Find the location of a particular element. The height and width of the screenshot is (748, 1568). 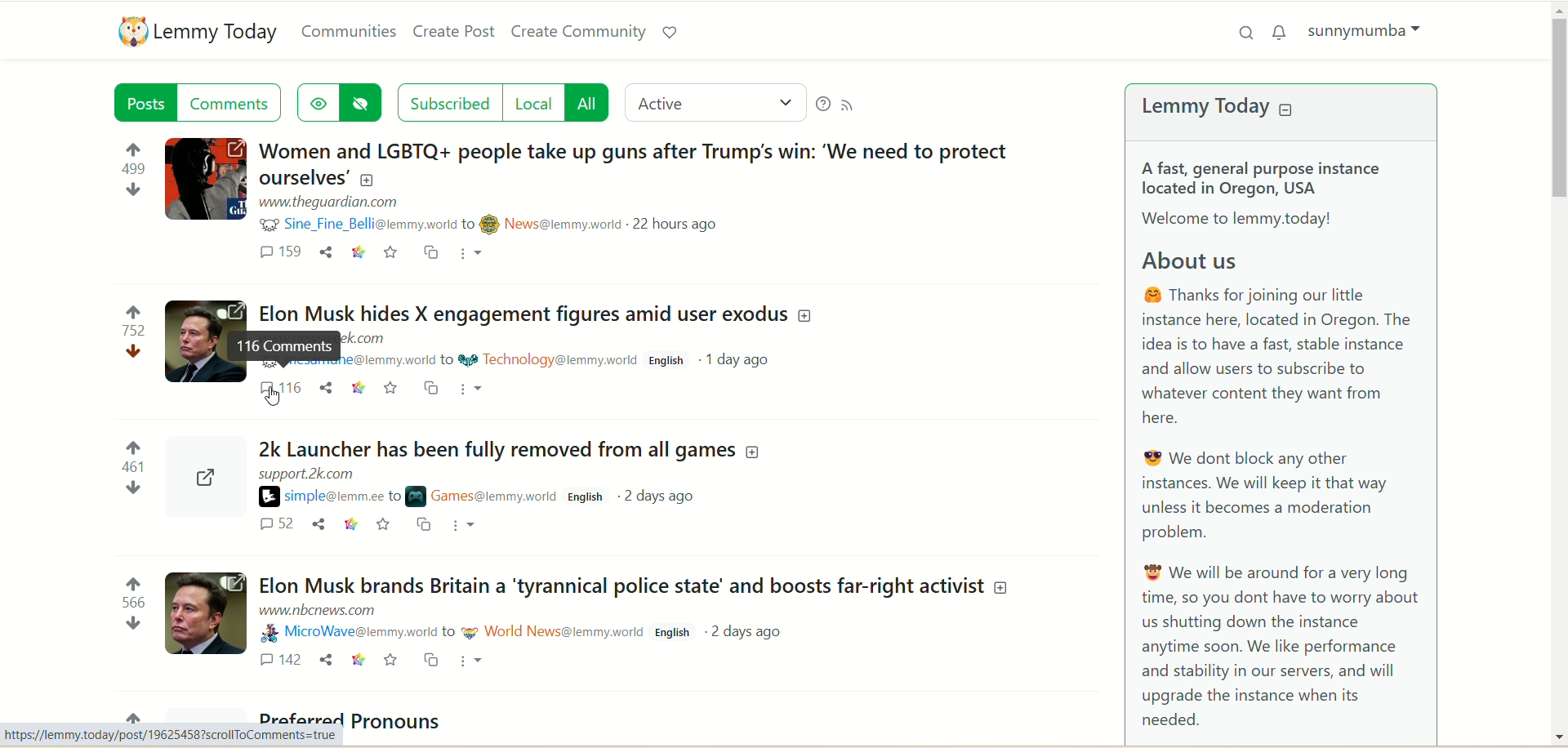

Add  is located at coordinates (753, 451).